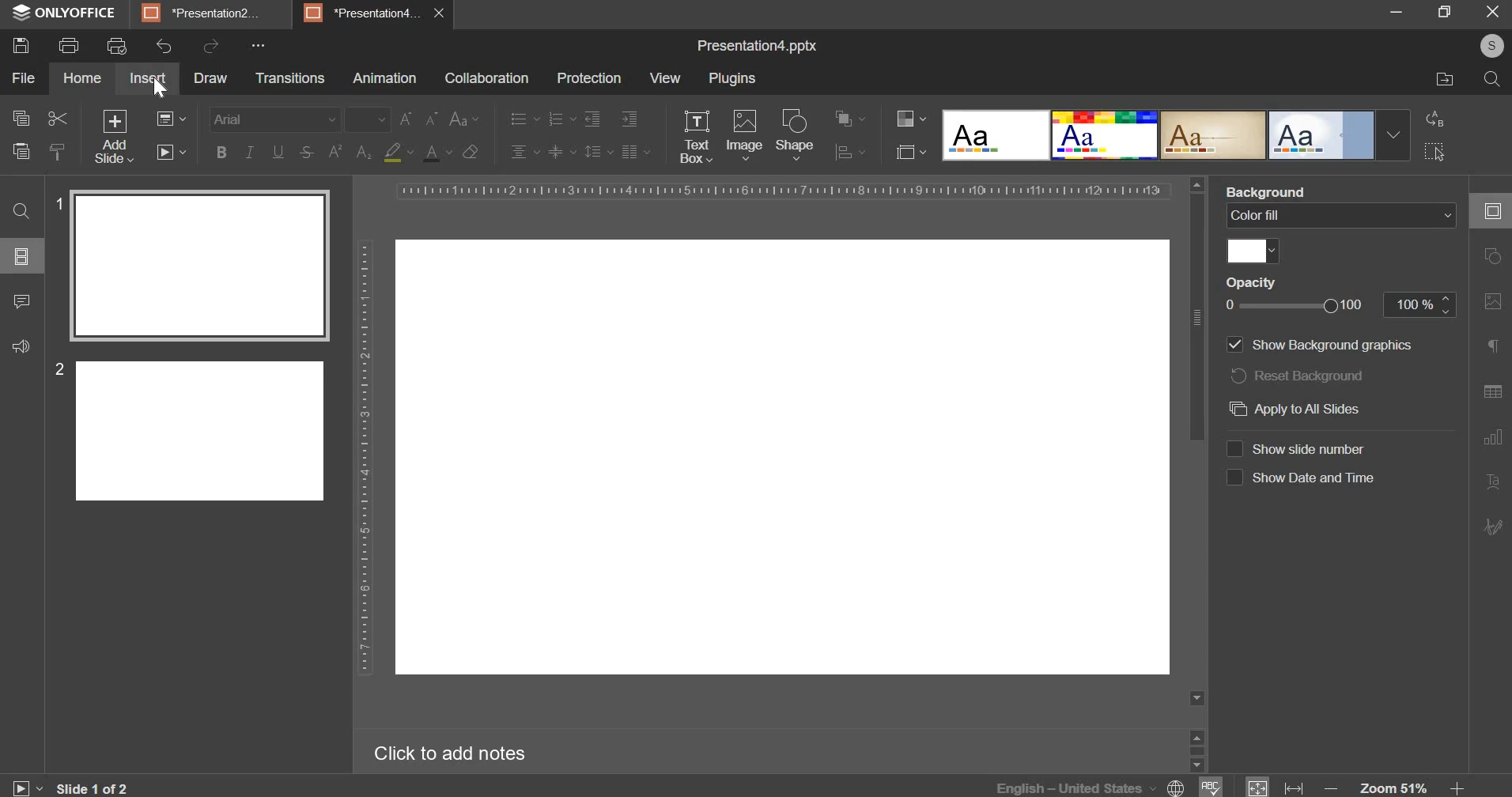 Image resolution: width=1512 pixels, height=797 pixels. I want to click on view, so click(665, 77).